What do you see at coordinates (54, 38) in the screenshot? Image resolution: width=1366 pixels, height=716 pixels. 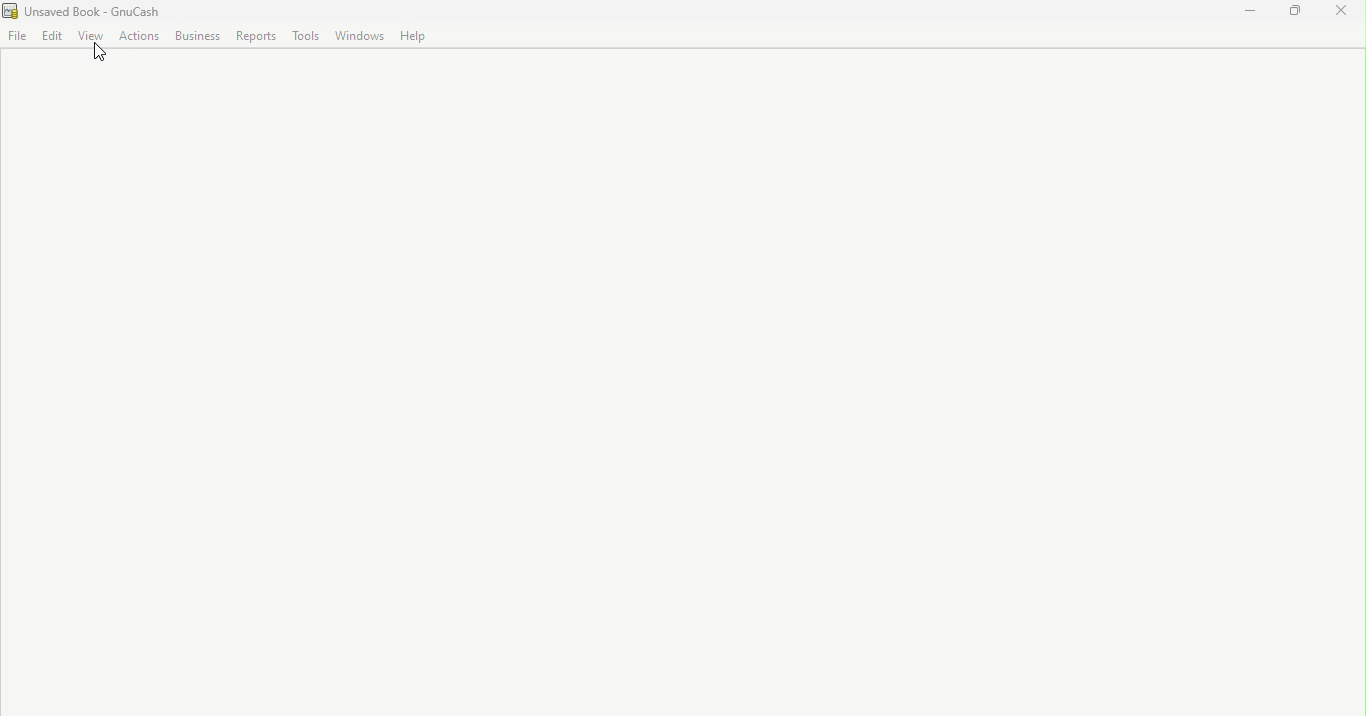 I see `Edit` at bounding box center [54, 38].